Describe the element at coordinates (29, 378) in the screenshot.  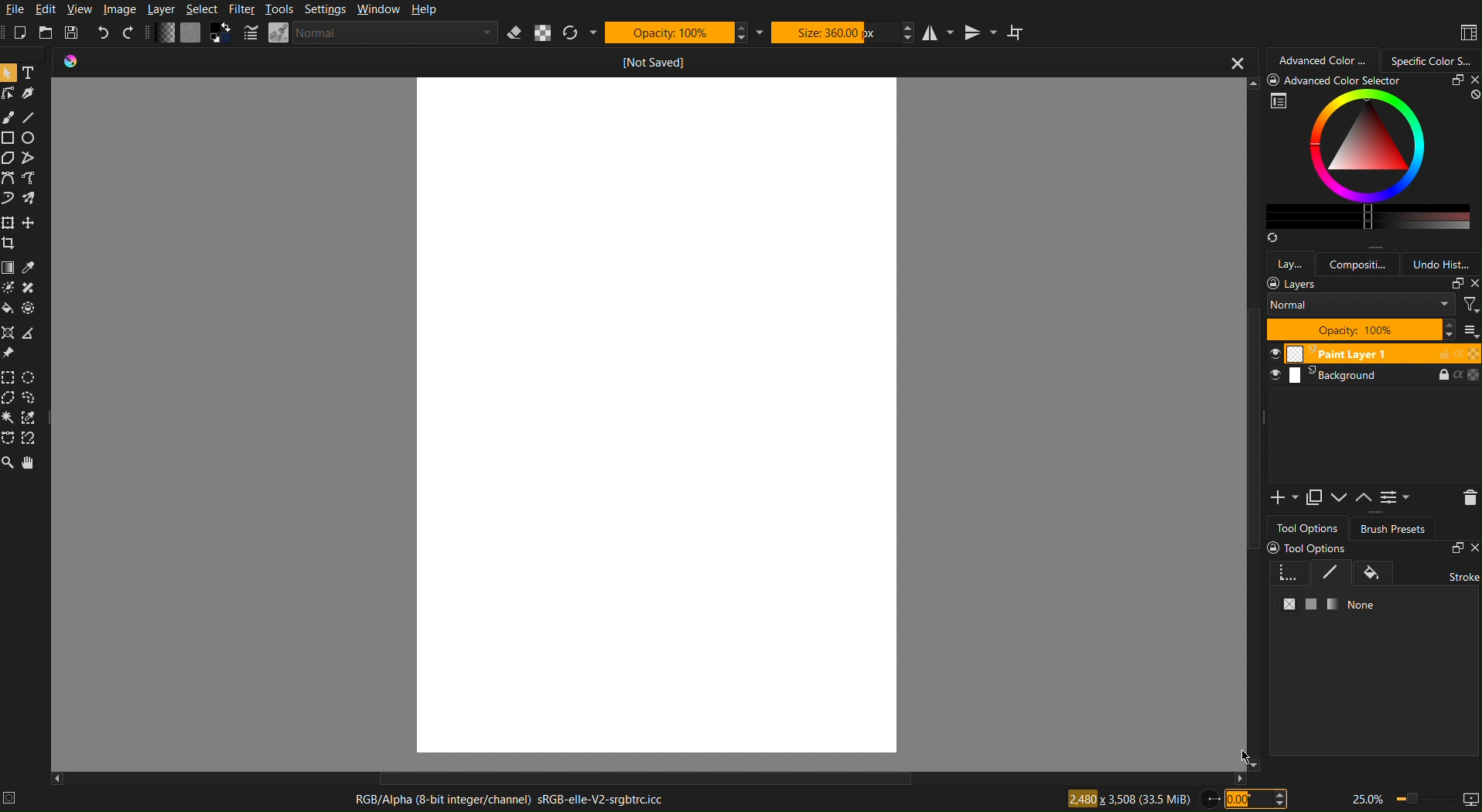
I see `Elliptical Selection Tool` at that location.